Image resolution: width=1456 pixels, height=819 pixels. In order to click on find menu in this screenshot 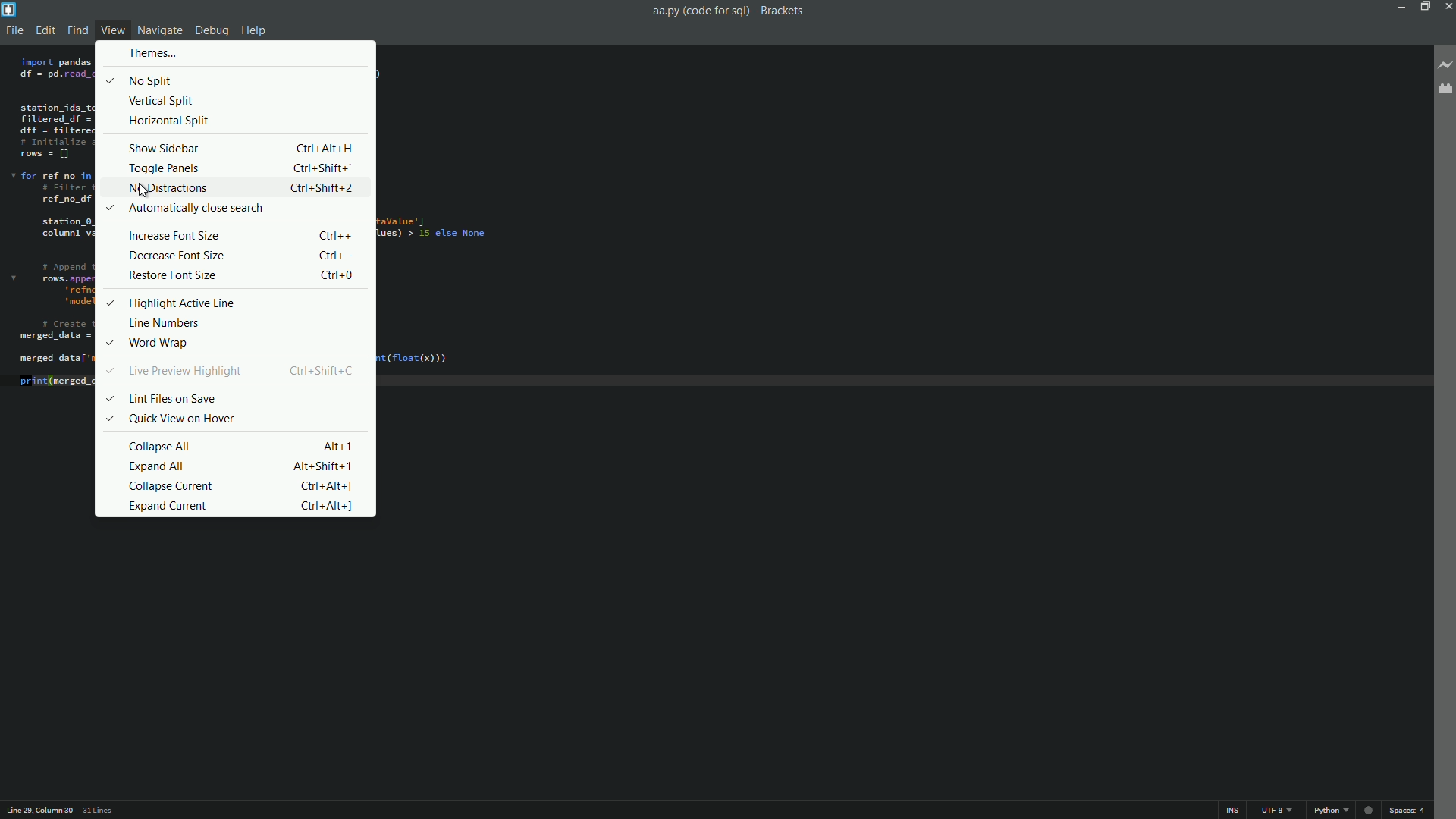, I will do `click(76, 28)`.